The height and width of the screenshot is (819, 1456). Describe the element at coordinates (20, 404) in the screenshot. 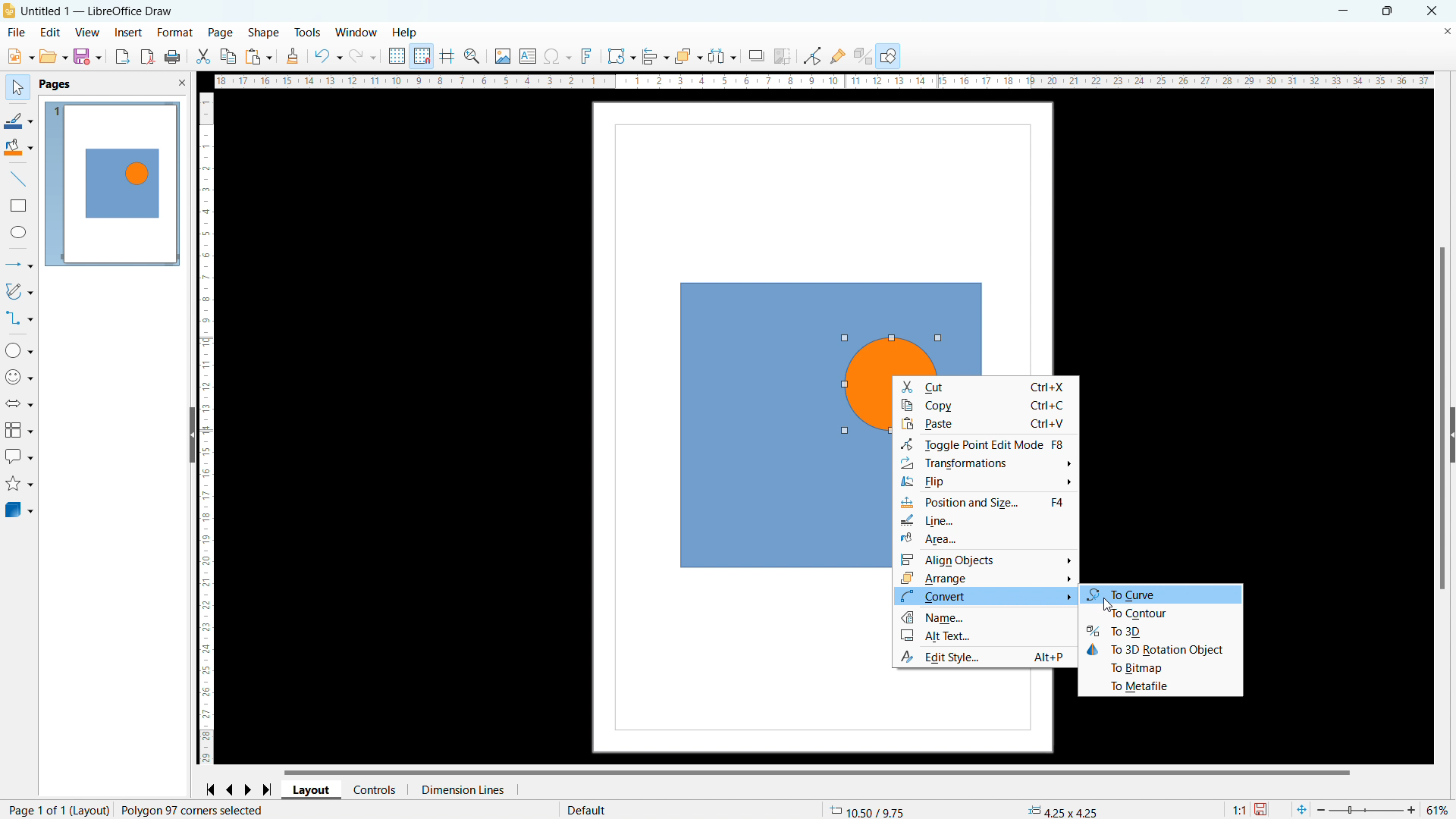

I see `block arrows` at that location.